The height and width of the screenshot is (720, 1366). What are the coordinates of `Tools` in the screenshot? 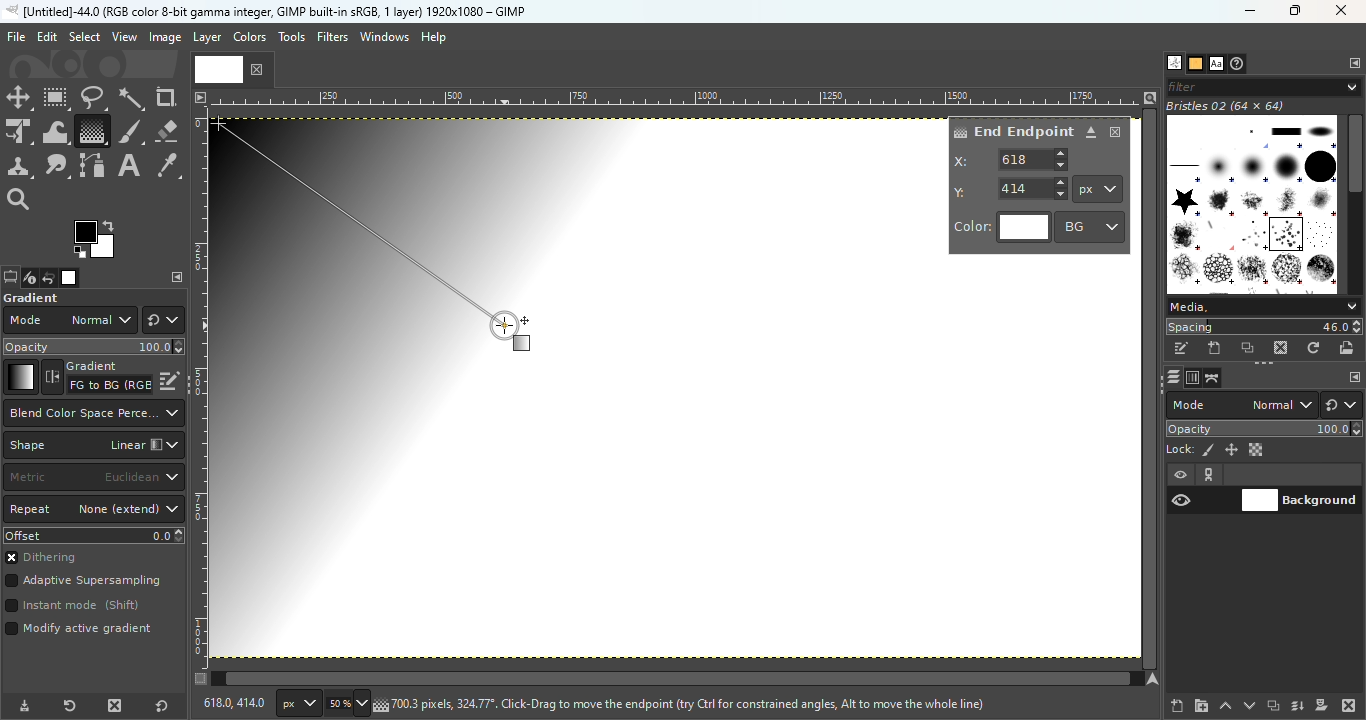 It's located at (294, 42).